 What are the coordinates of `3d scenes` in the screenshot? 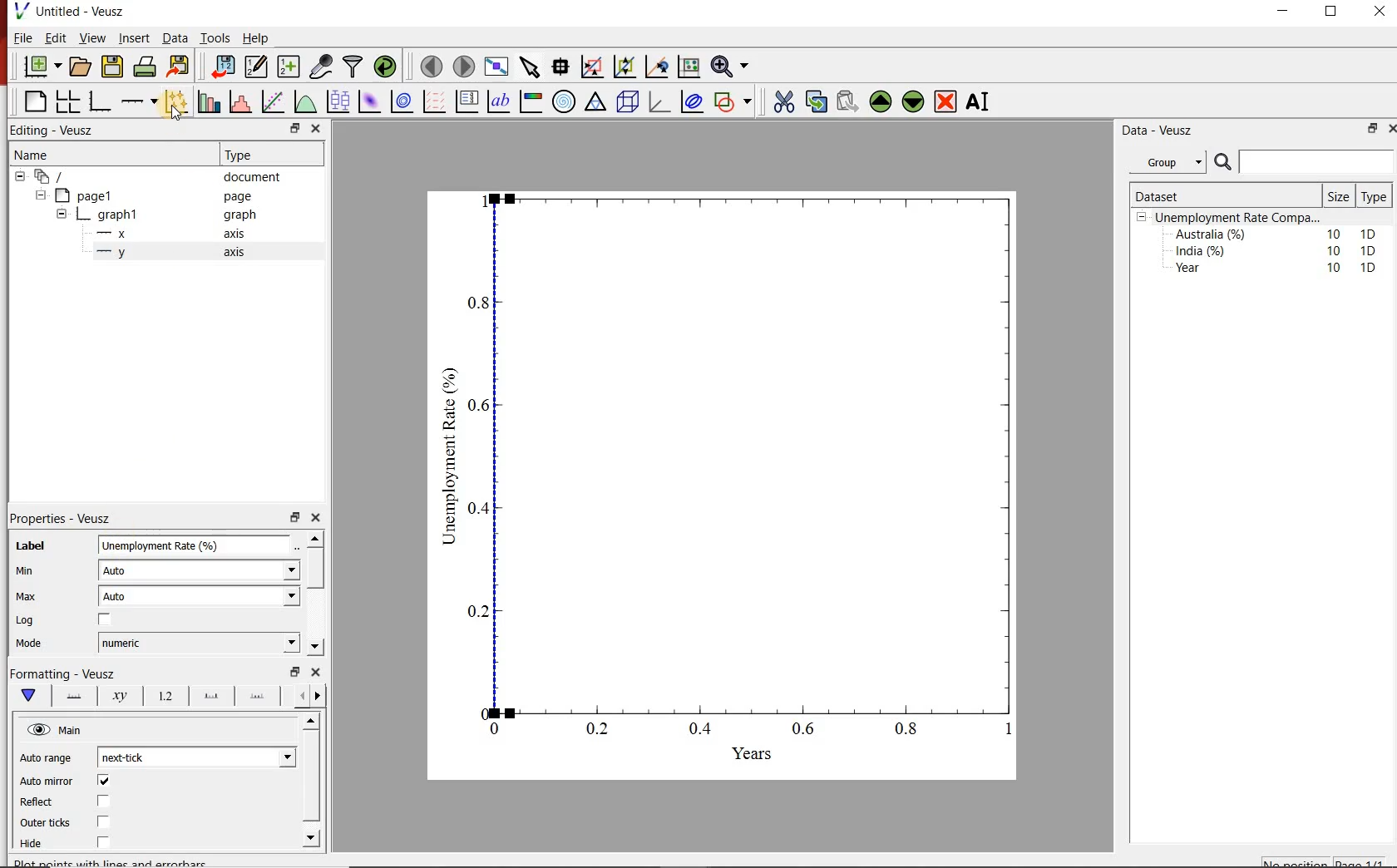 It's located at (625, 101).